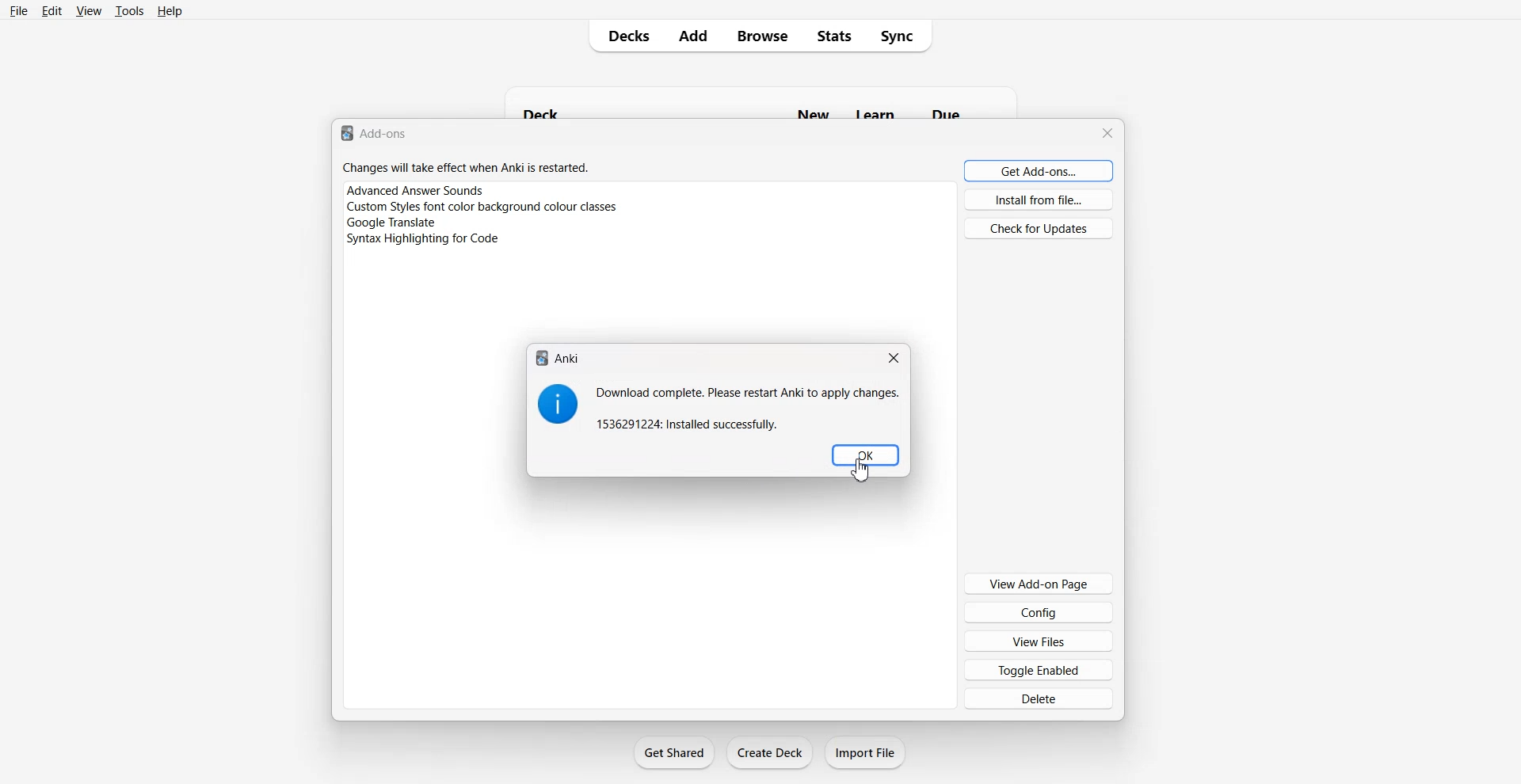  I want to click on Close, so click(894, 359).